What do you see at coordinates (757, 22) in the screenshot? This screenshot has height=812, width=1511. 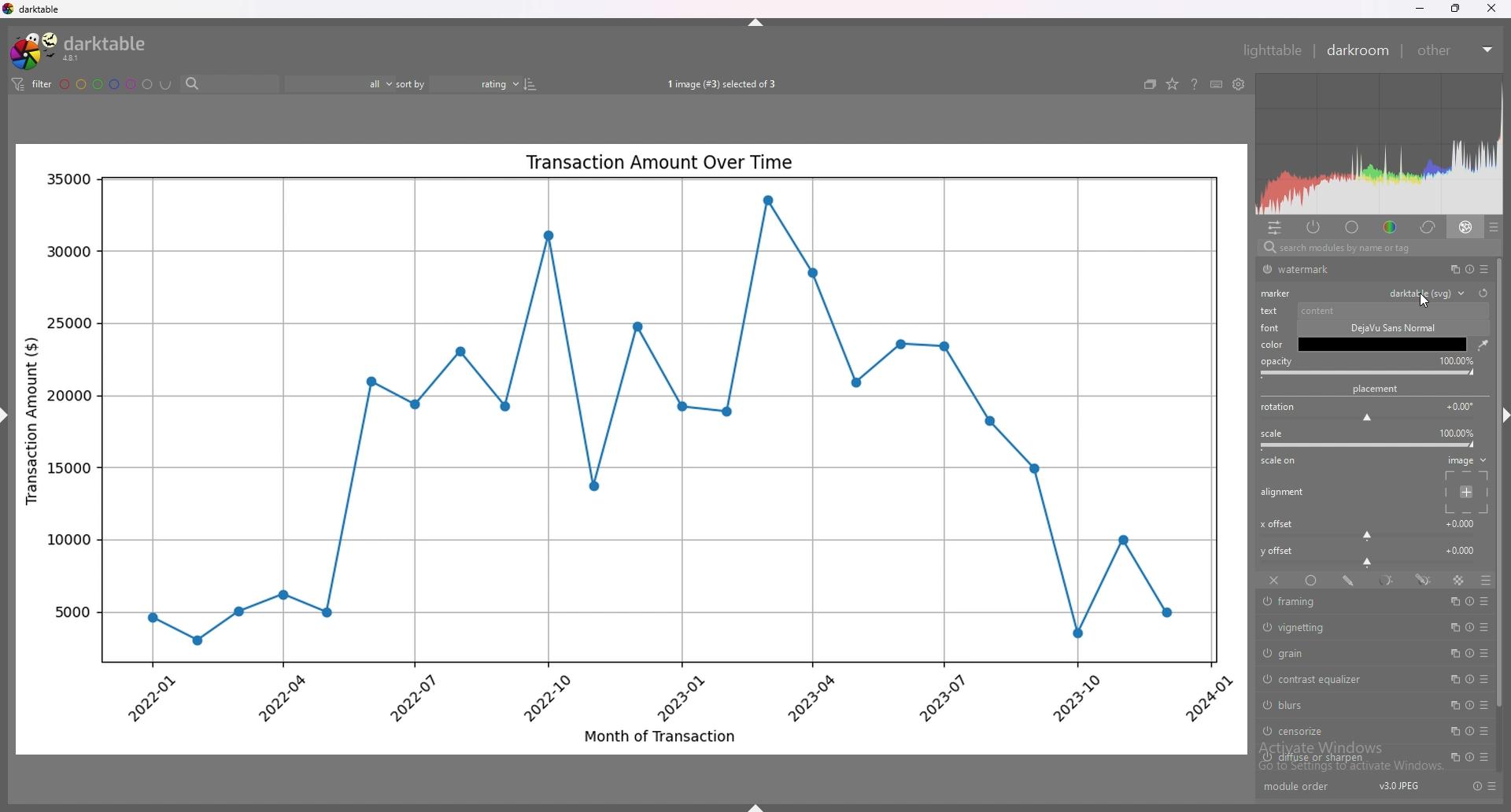 I see `hide` at bounding box center [757, 22].